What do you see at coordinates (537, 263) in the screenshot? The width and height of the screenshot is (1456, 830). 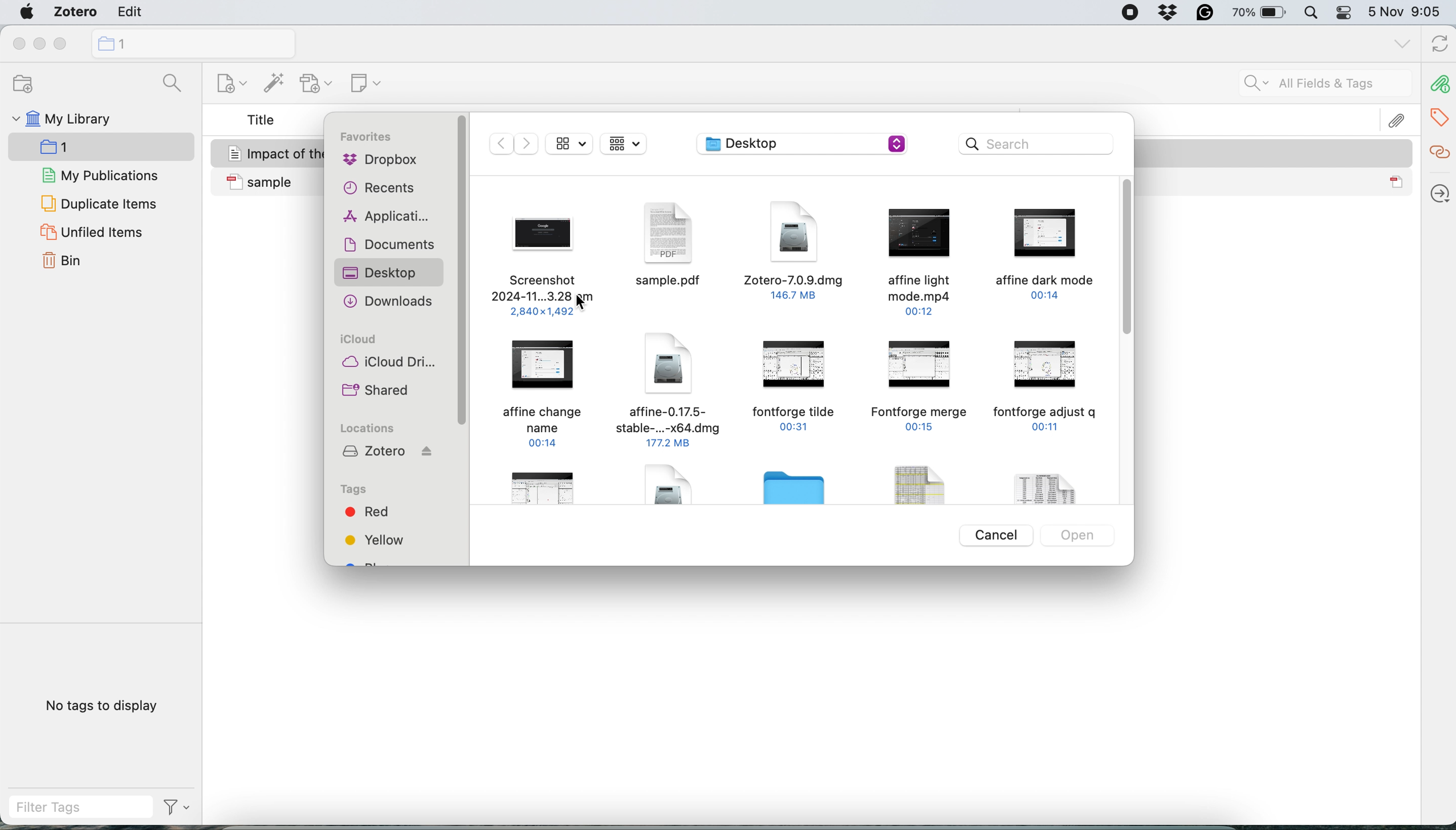 I see `web screenshot to attach` at bounding box center [537, 263].